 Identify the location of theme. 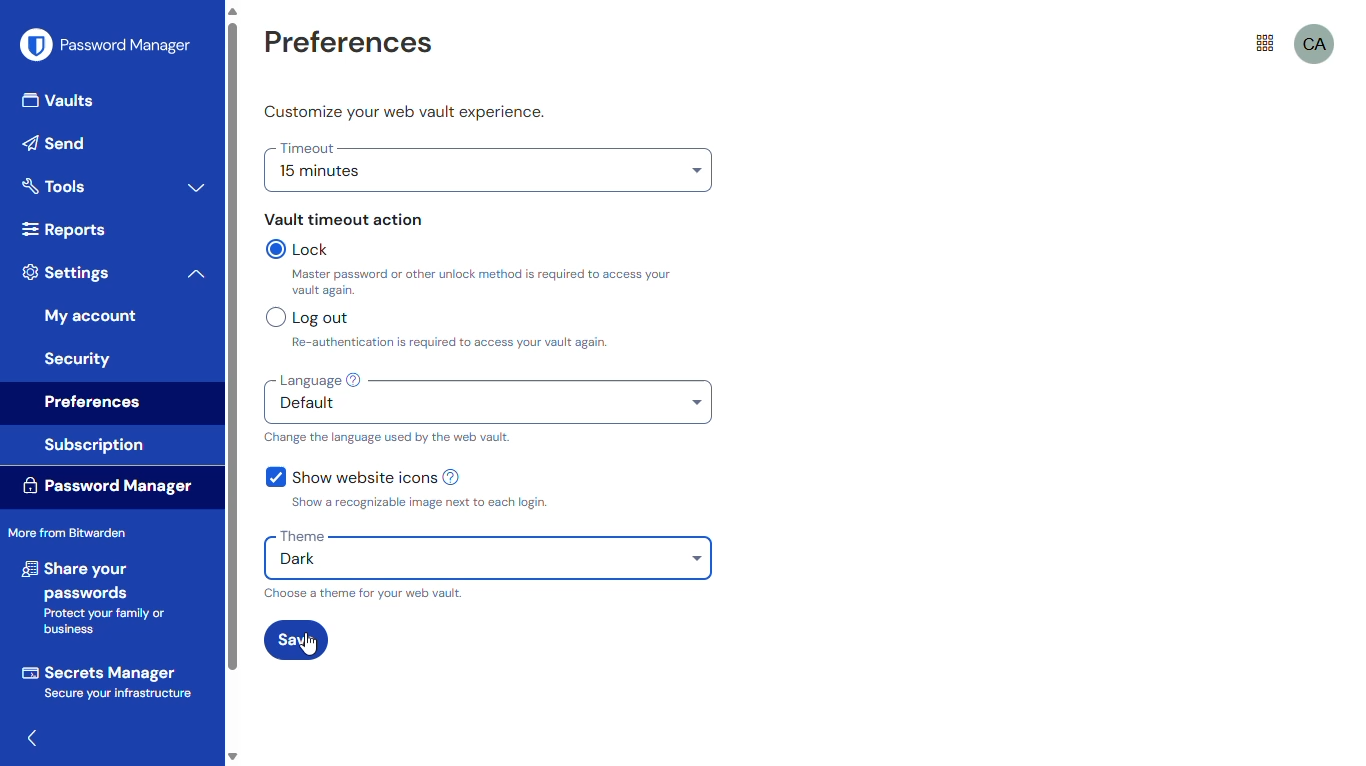
(302, 536).